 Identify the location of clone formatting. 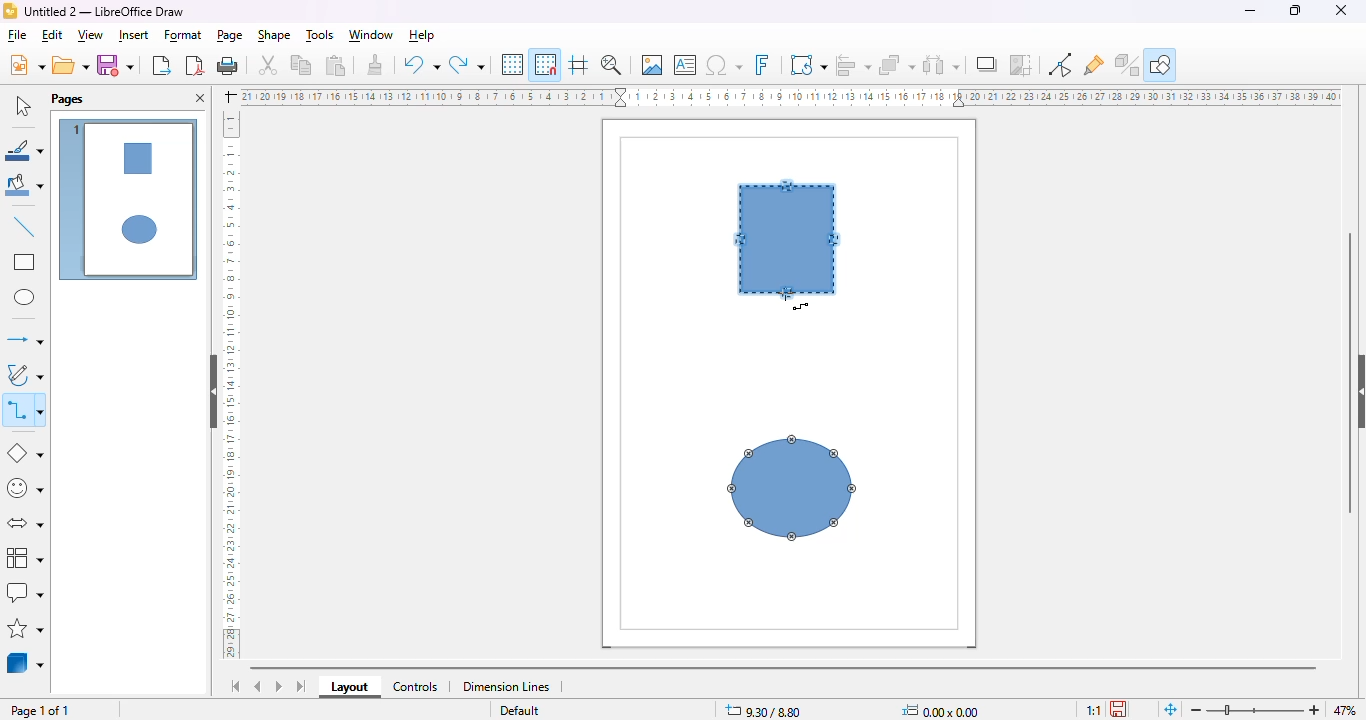
(375, 65).